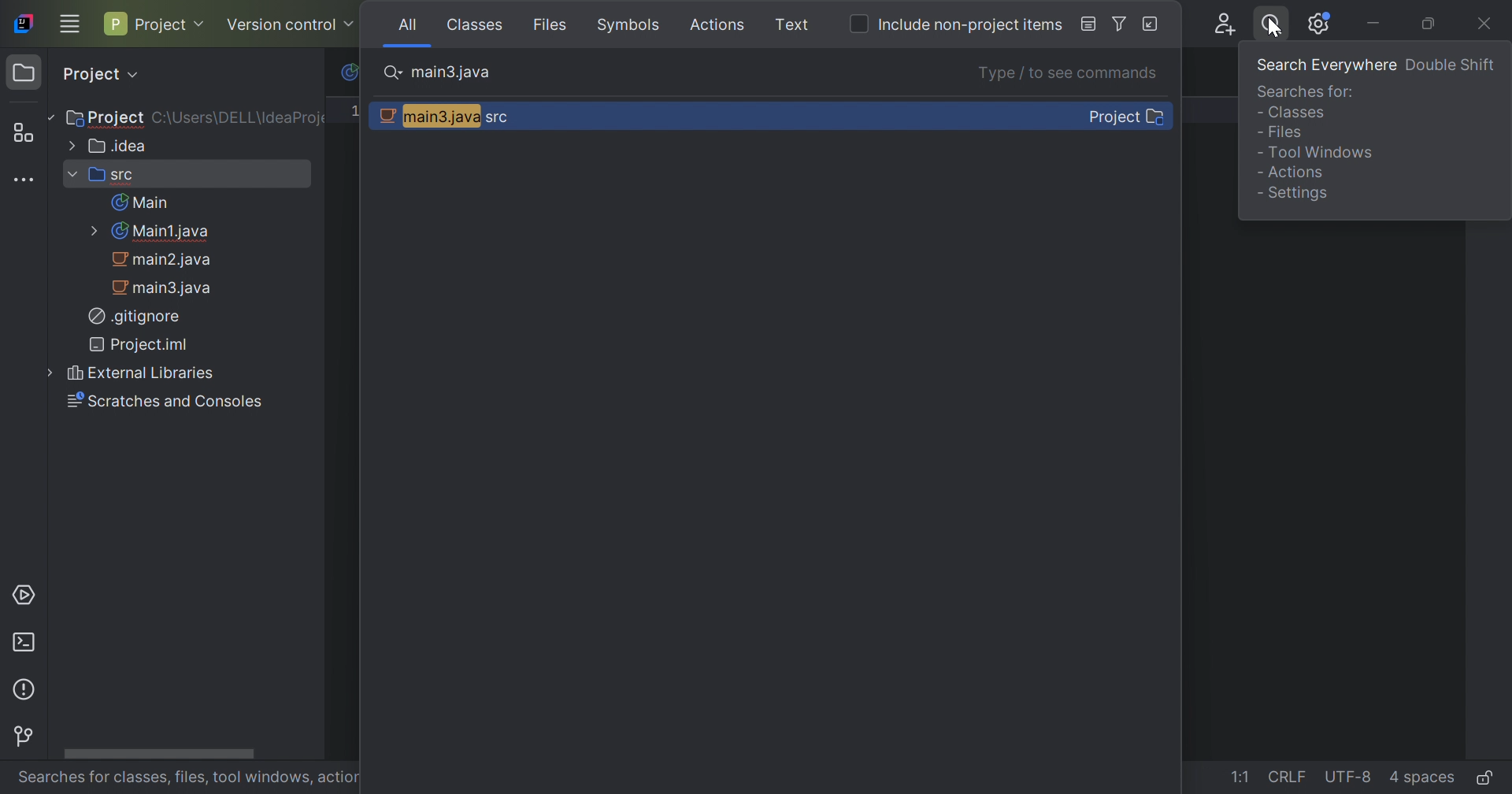  Describe the element at coordinates (139, 202) in the screenshot. I see `Main` at that location.